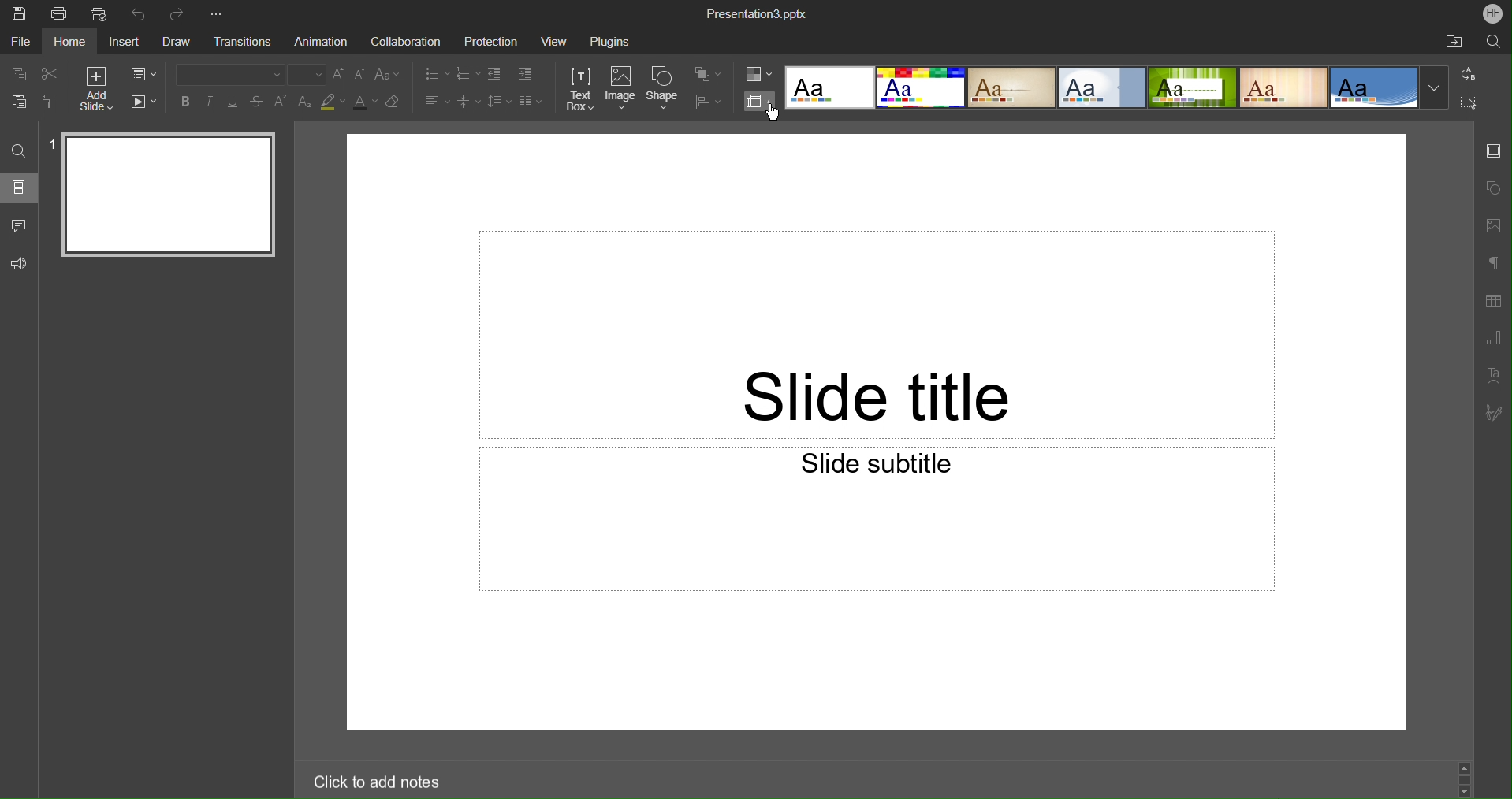  What do you see at coordinates (1493, 13) in the screenshot?
I see `Account` at bounding box center [1493, 13].